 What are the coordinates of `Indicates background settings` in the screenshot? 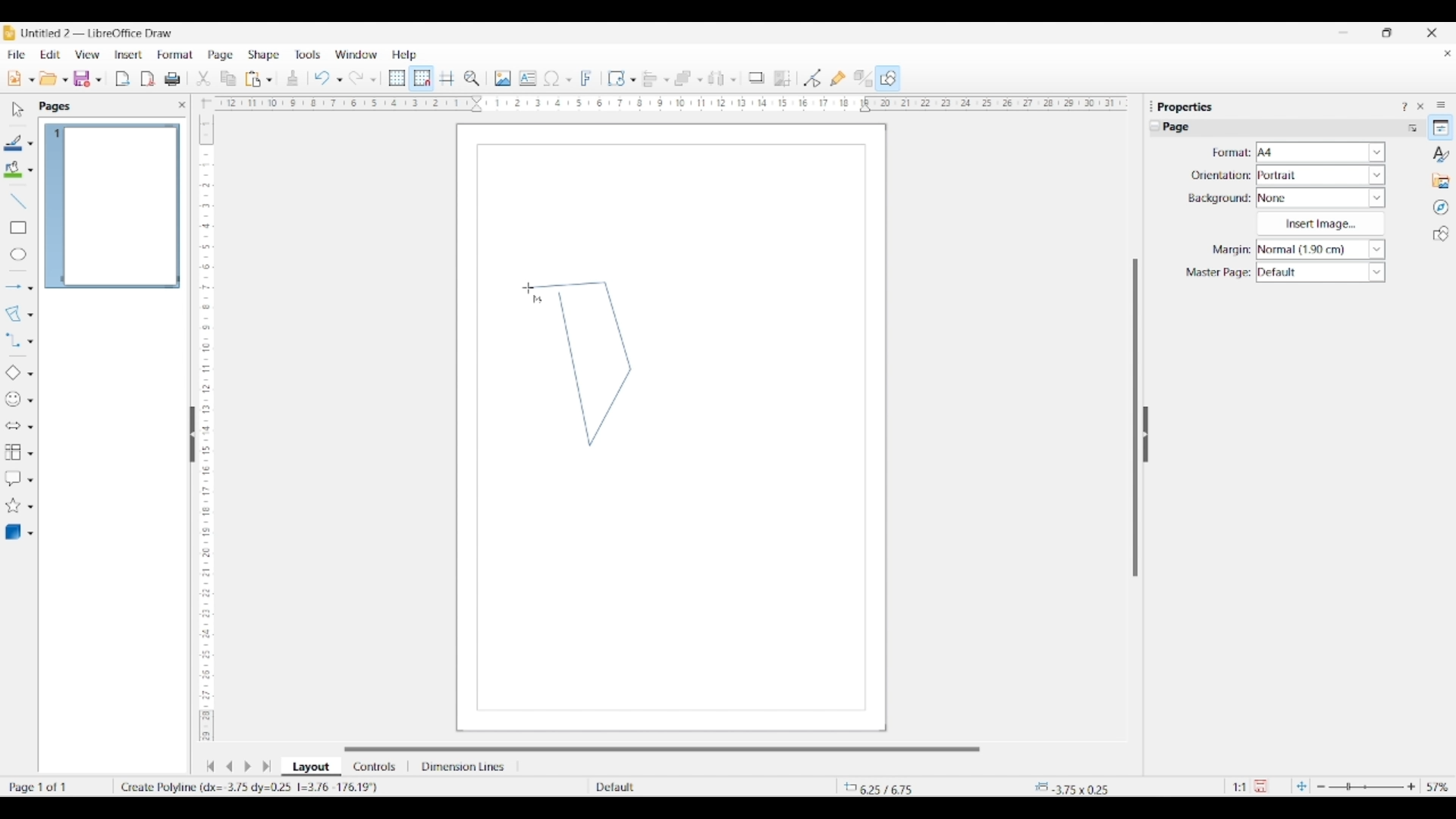 It's located at (1219, 199).